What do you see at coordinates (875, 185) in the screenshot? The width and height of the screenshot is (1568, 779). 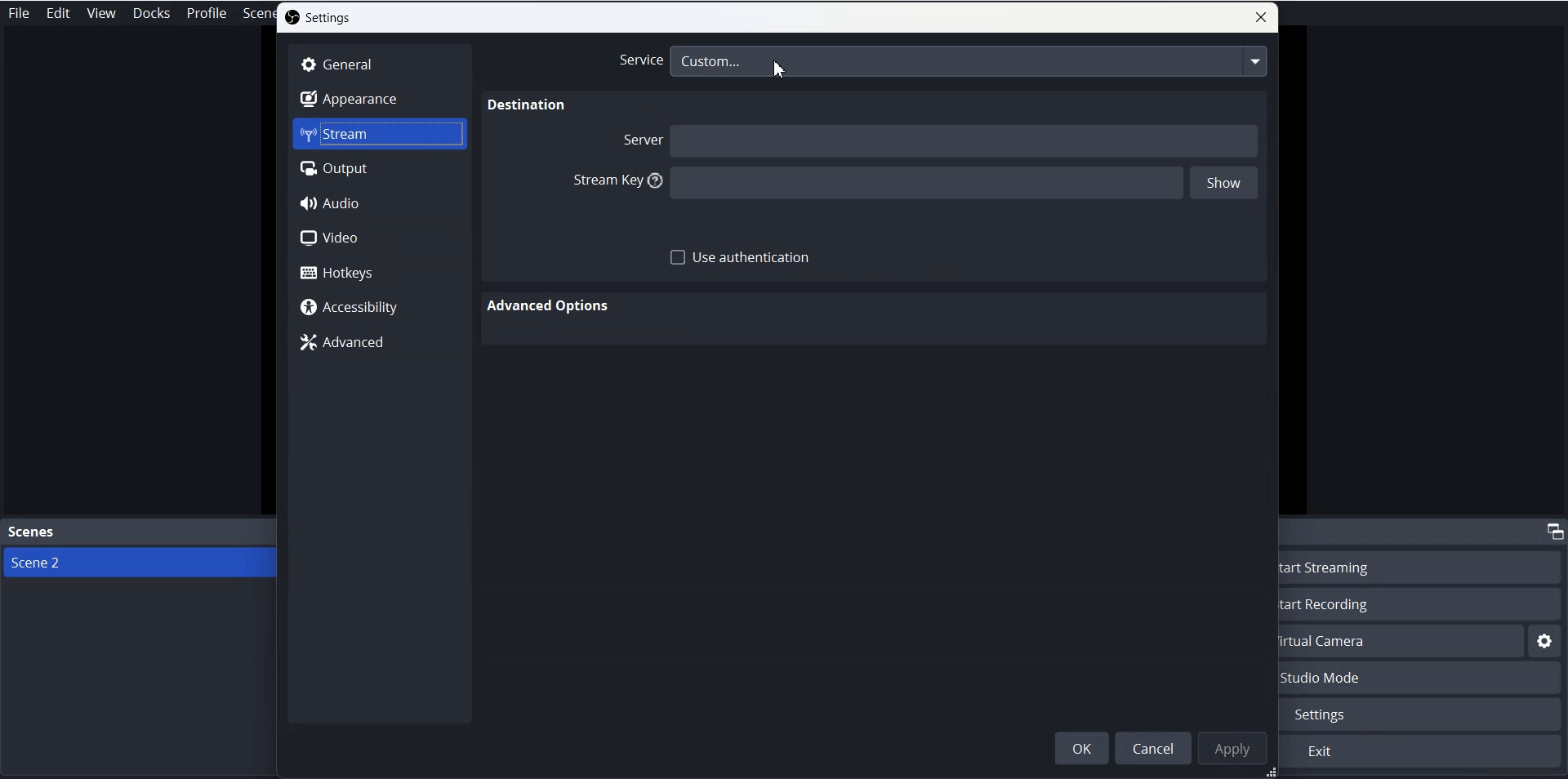 I see `Stream key` at bounding box center [875, 185].